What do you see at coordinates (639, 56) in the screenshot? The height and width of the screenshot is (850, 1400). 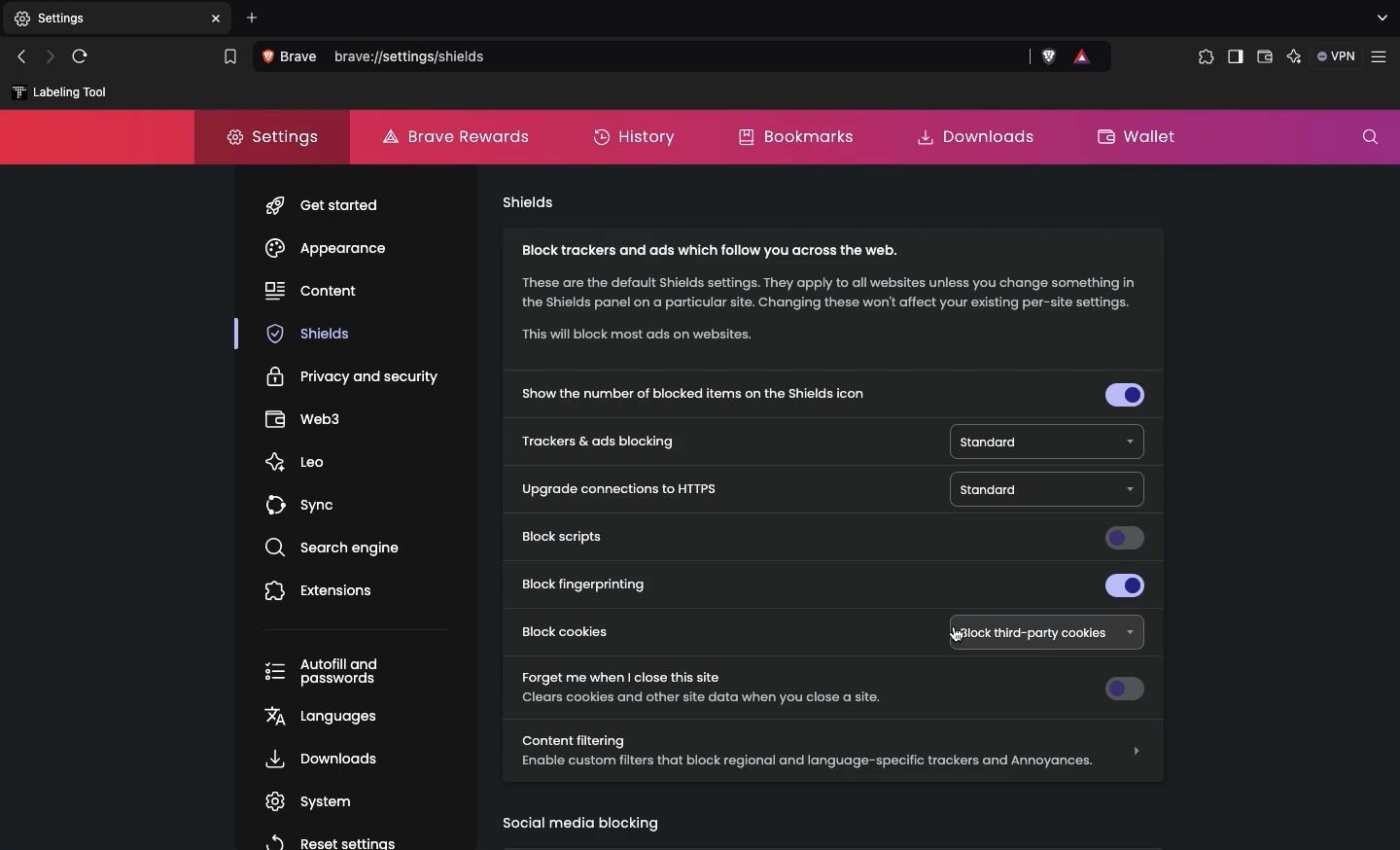 I see `Search` at bounding box center [639, 56].